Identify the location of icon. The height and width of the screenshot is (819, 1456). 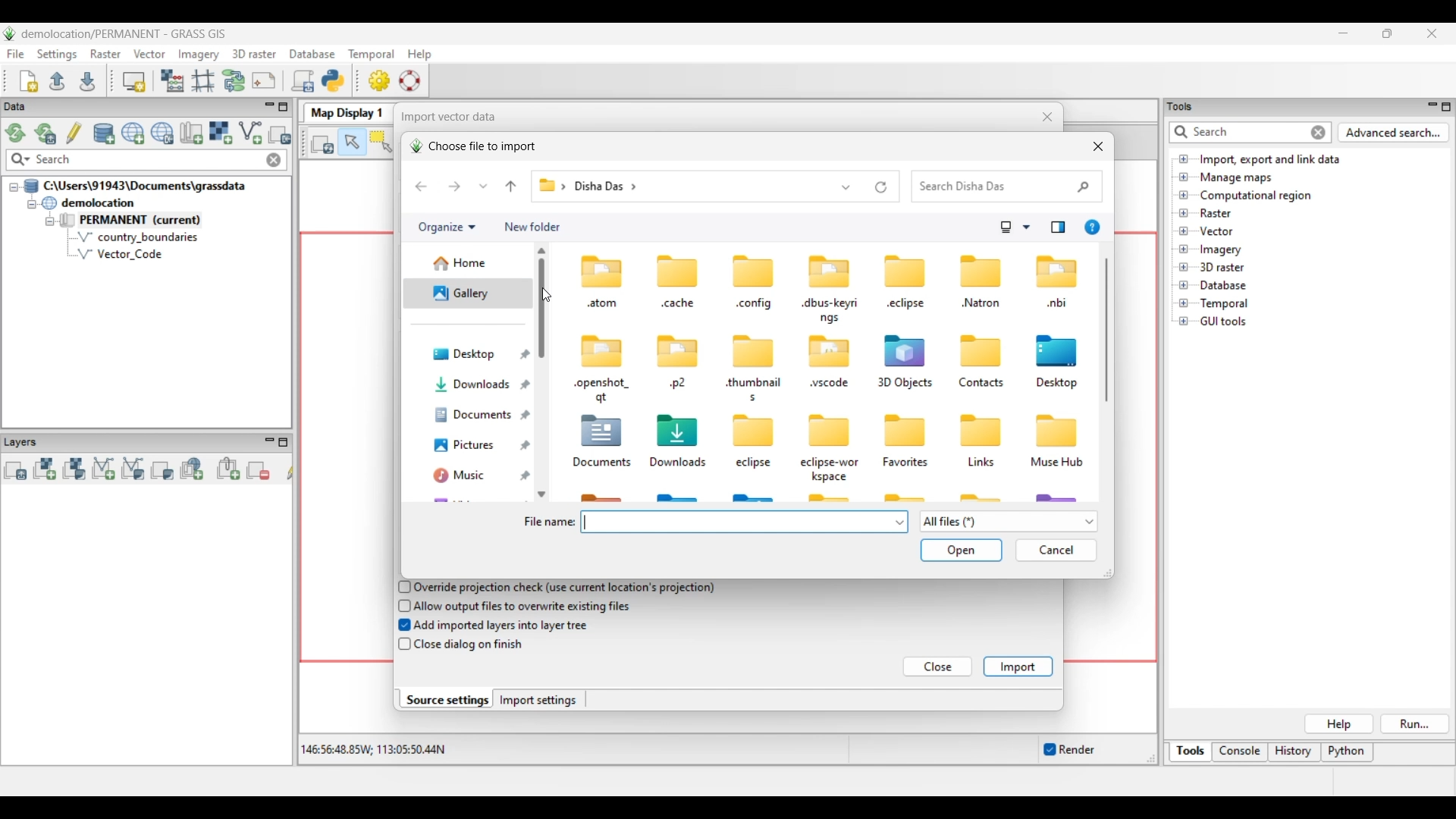
(903, 428).